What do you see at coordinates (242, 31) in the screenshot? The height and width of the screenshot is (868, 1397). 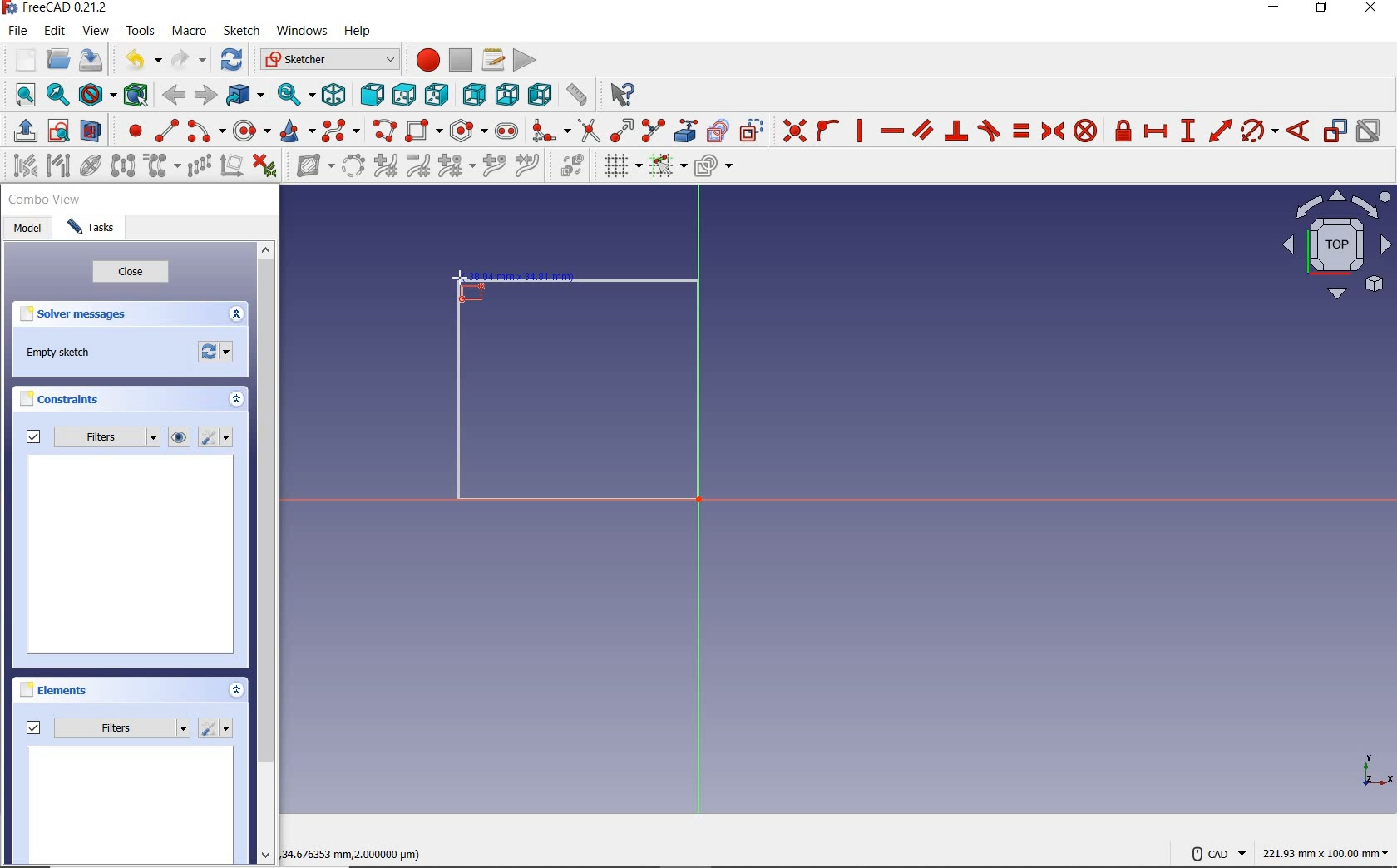 I see `sketch` at bounding box center [242, 31].